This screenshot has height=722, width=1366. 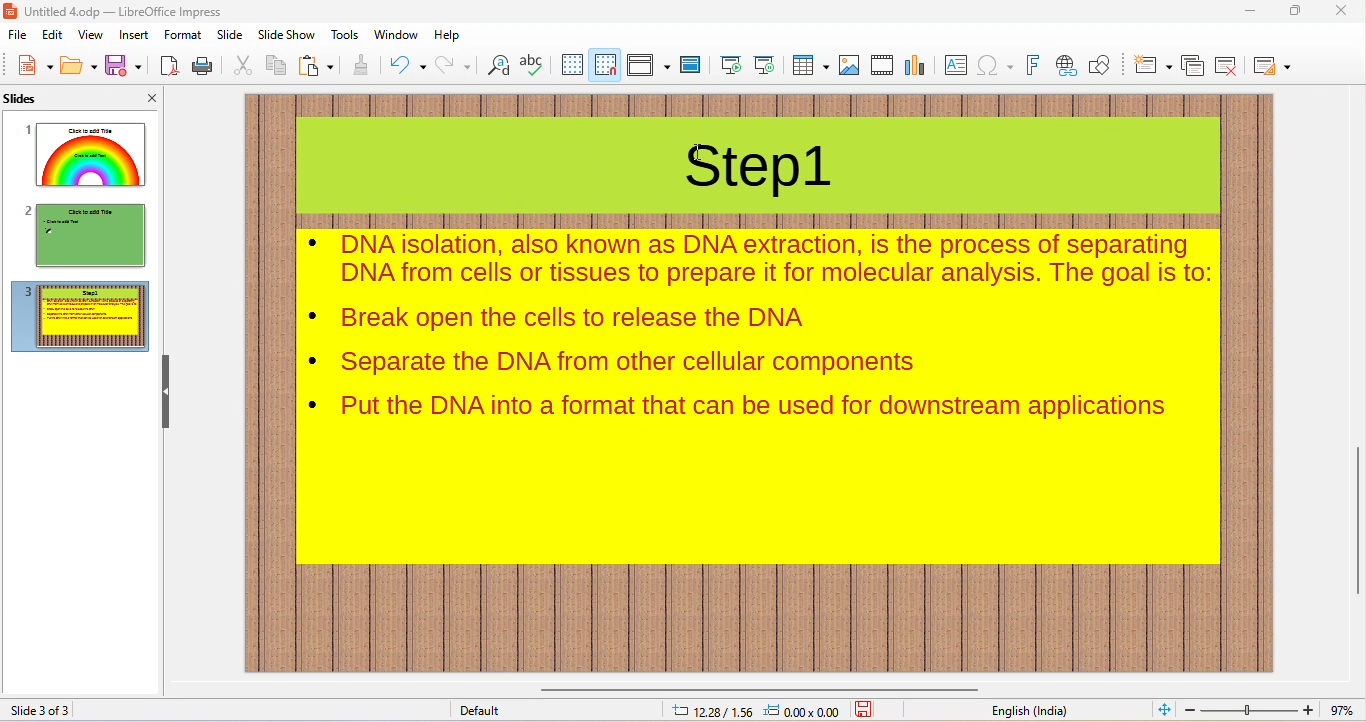 I want to click on edit, so click(x=52, y=36).